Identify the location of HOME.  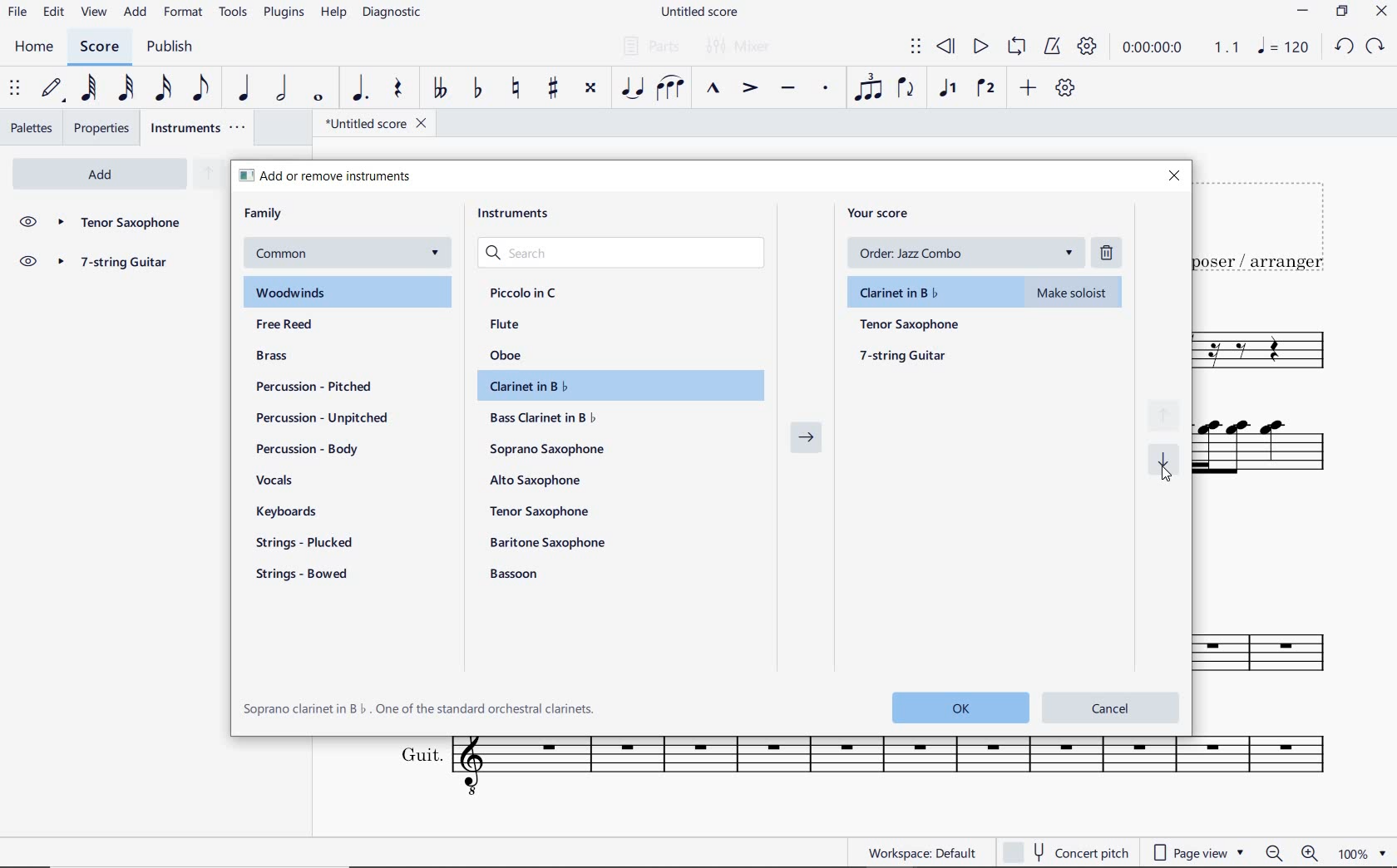
(35, 48).